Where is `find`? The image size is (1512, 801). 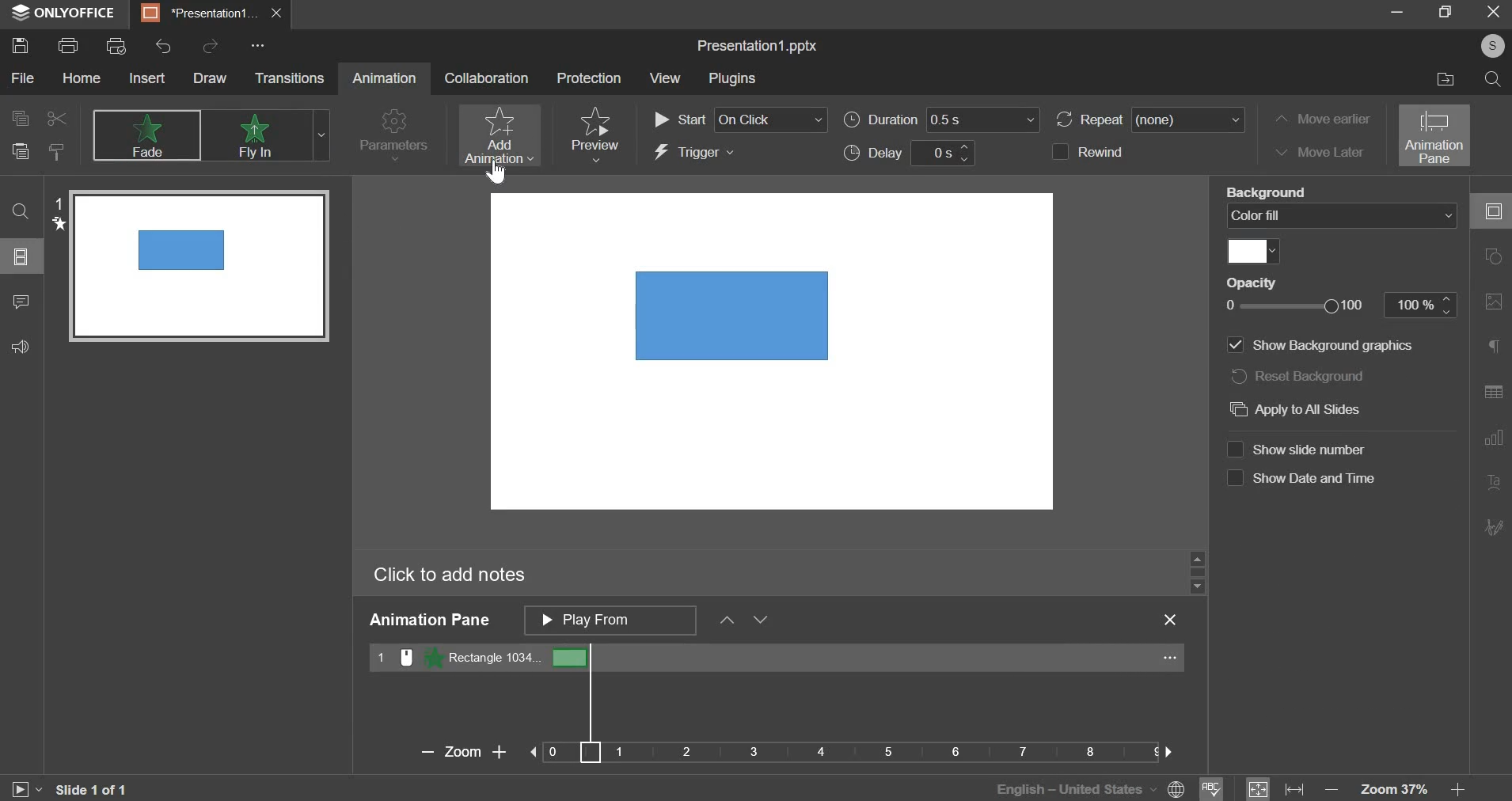 find is located at coordinates (1494, 80).